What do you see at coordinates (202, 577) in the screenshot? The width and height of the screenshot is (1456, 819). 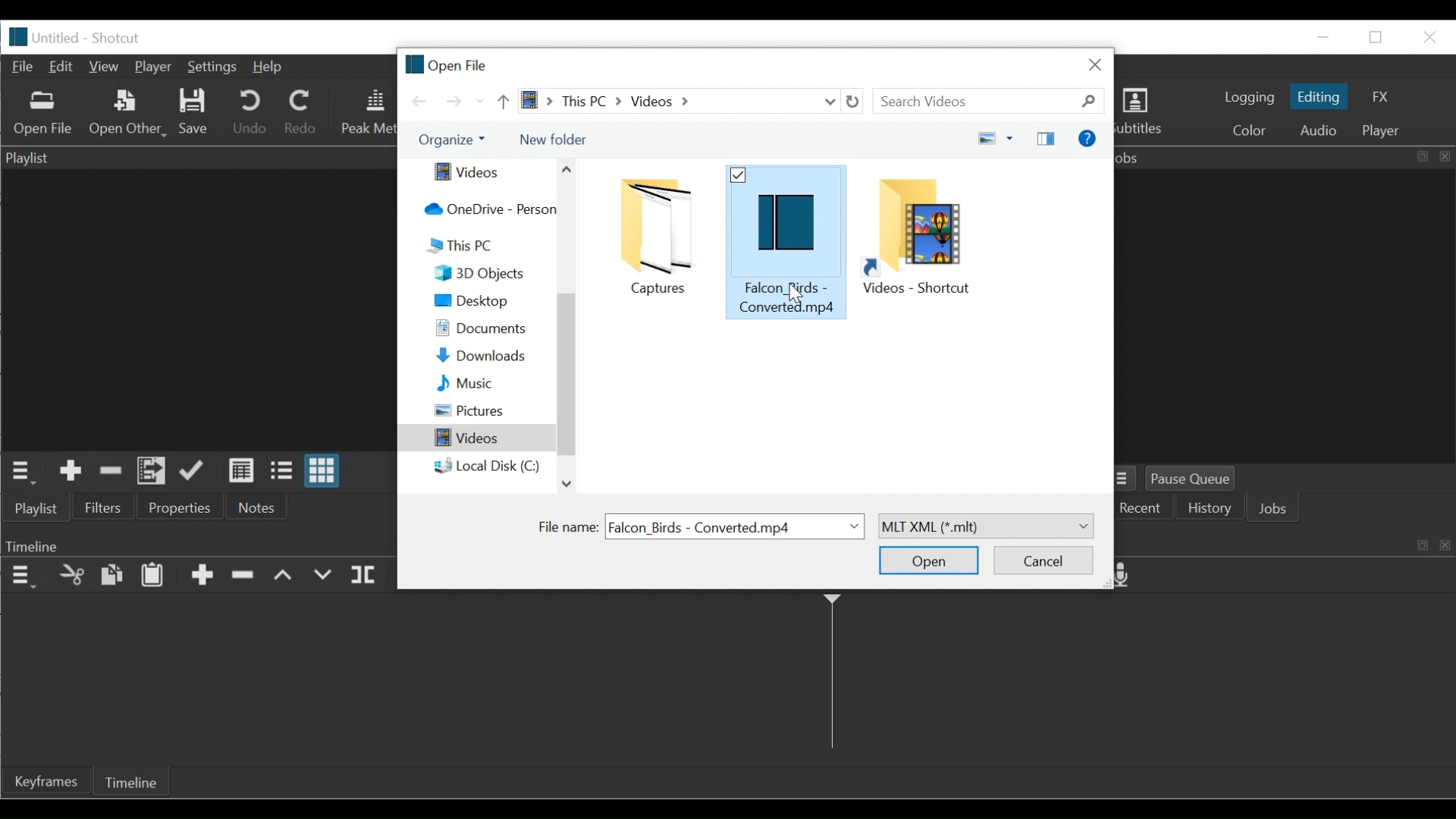 I see `Append` at bounding box center [202, 577].